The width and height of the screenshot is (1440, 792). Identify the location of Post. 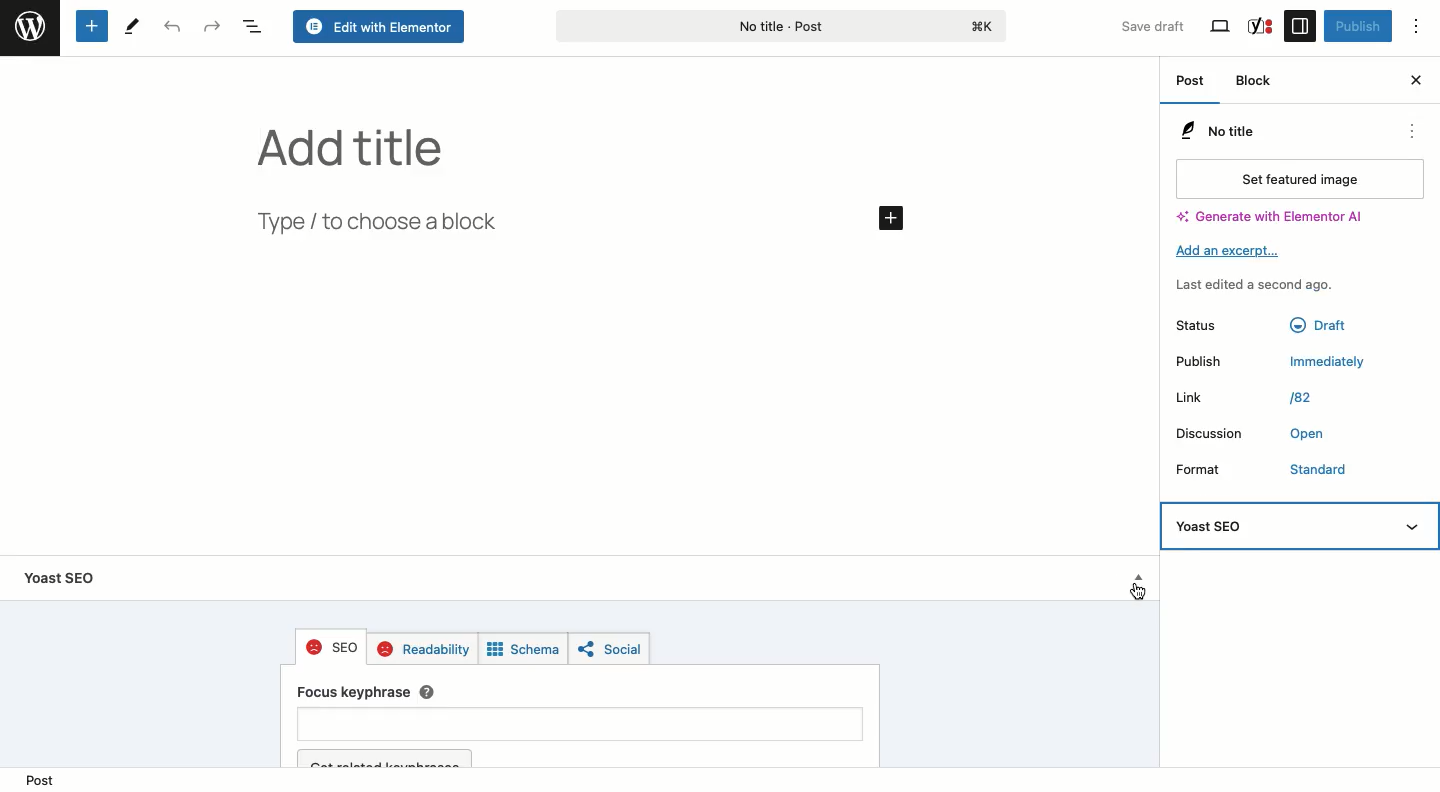
(1192, 84).